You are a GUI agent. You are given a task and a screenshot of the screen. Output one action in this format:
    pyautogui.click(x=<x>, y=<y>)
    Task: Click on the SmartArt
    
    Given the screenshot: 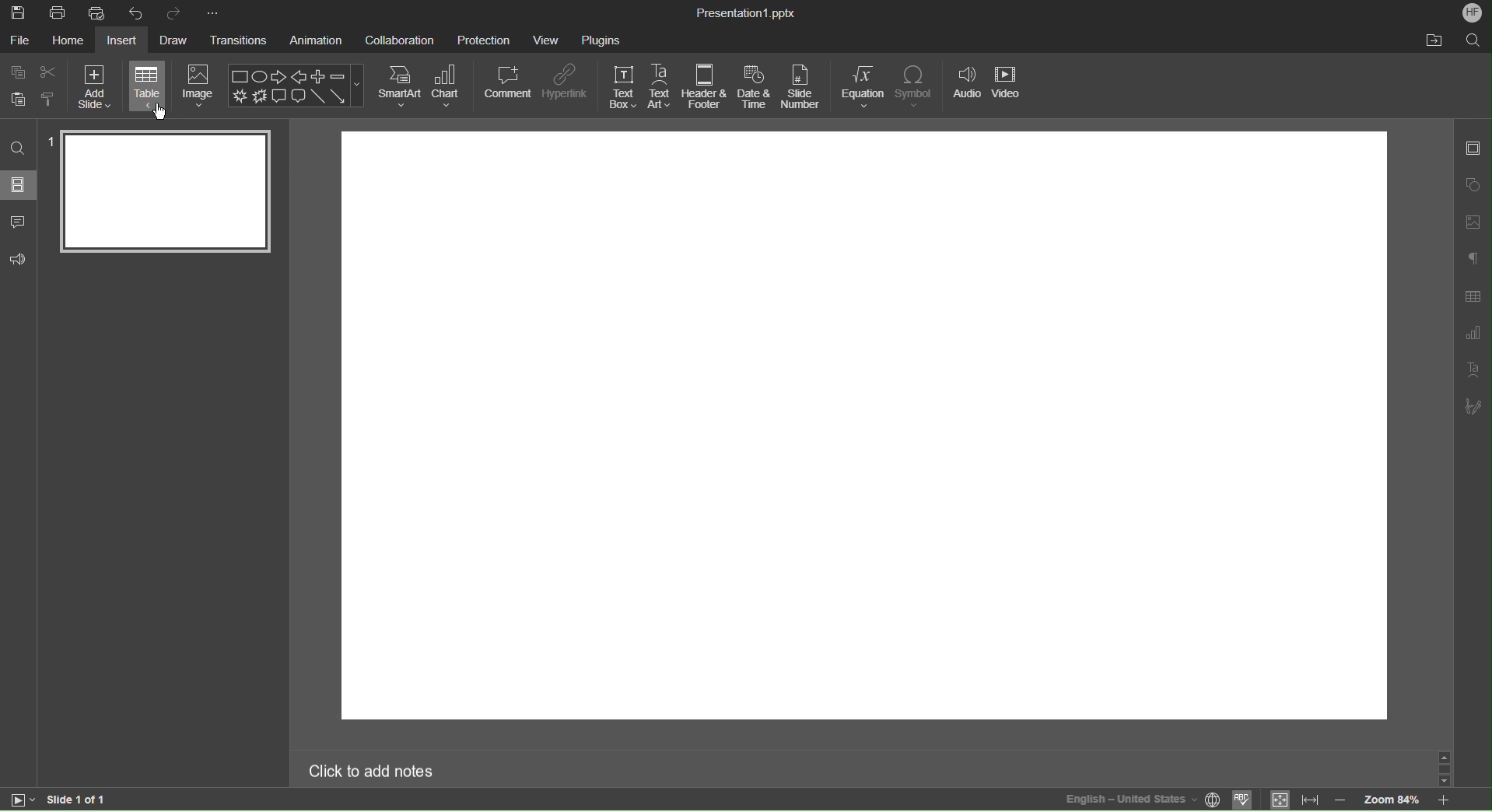 What is the action you would take?
    pyautogui.click(x=401, y=86)
    